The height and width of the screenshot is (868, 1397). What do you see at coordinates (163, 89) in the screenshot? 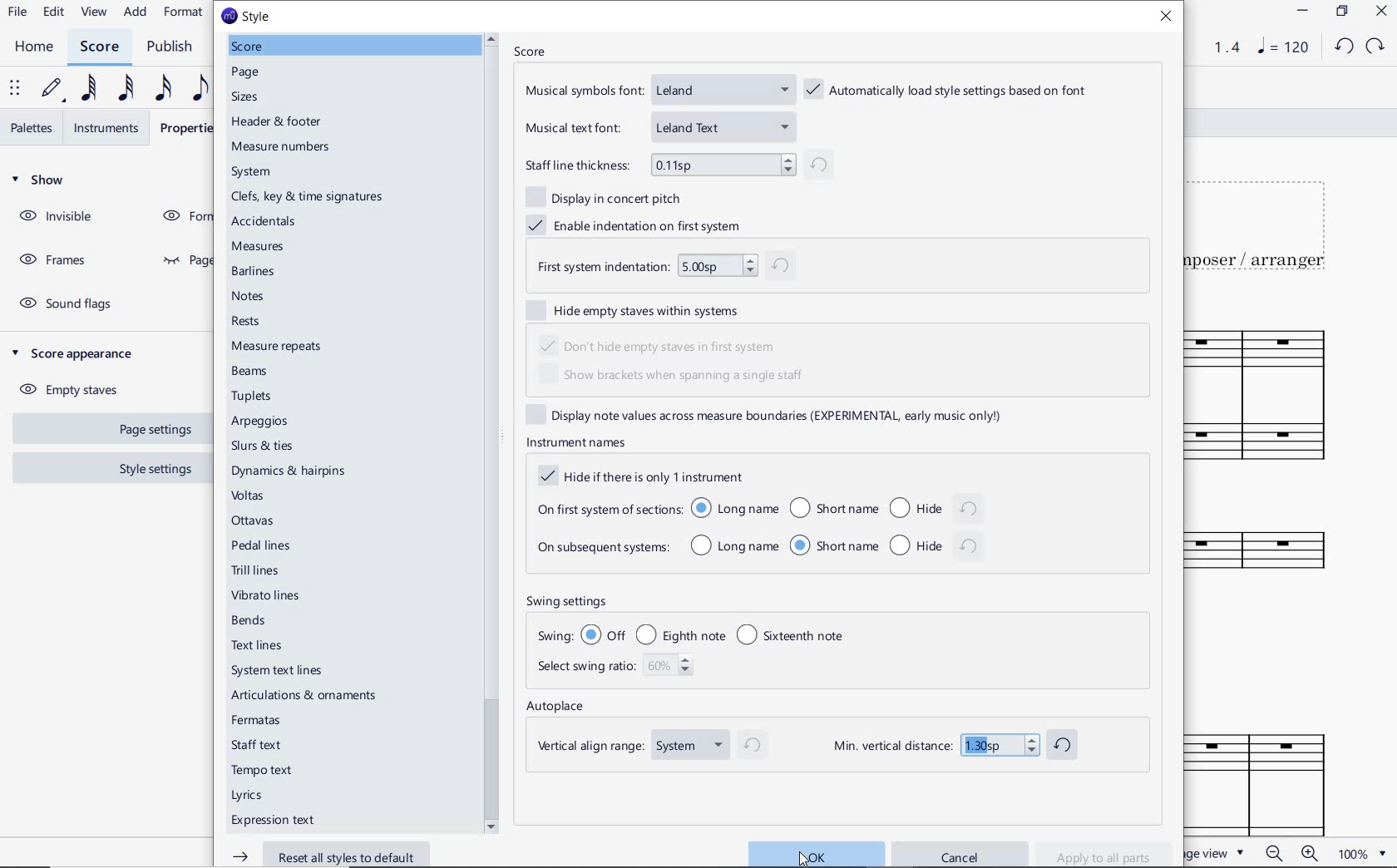
I see `16TH NOTE` at bounding box center [163, 89].